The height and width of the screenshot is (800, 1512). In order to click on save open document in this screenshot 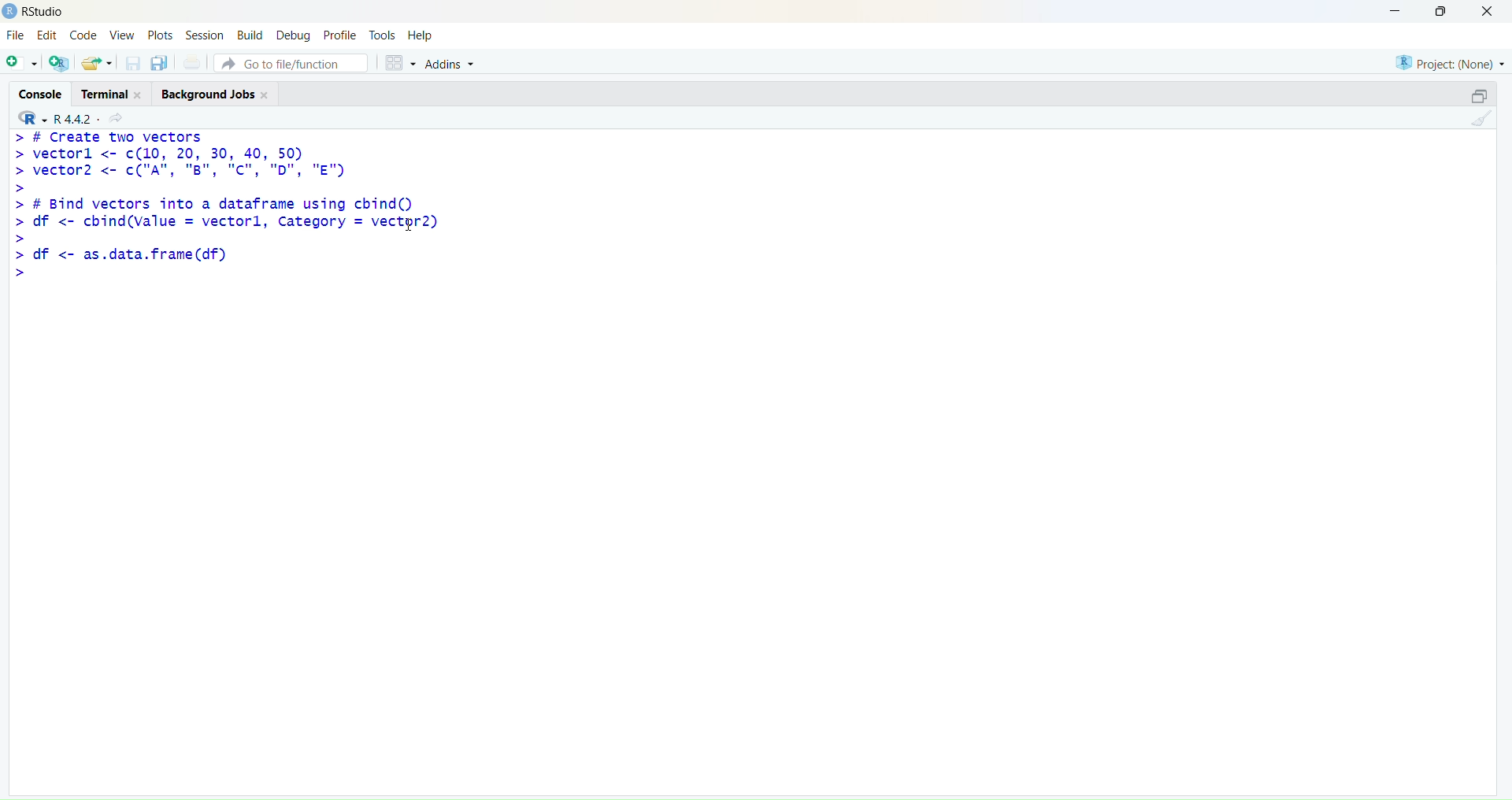, I will do `click(132, 65)`.